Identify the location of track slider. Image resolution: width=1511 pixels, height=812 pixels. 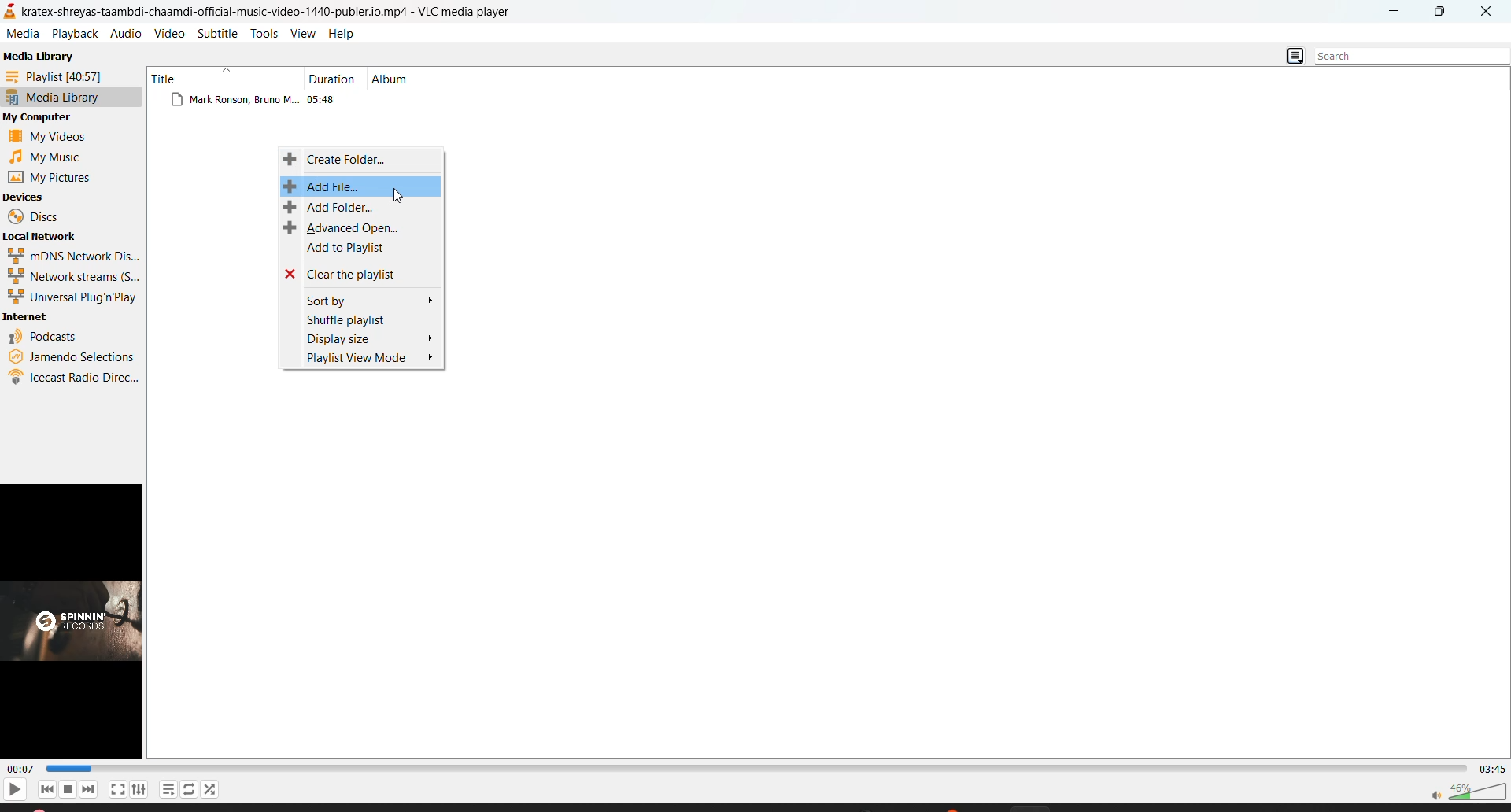
(755, 768).